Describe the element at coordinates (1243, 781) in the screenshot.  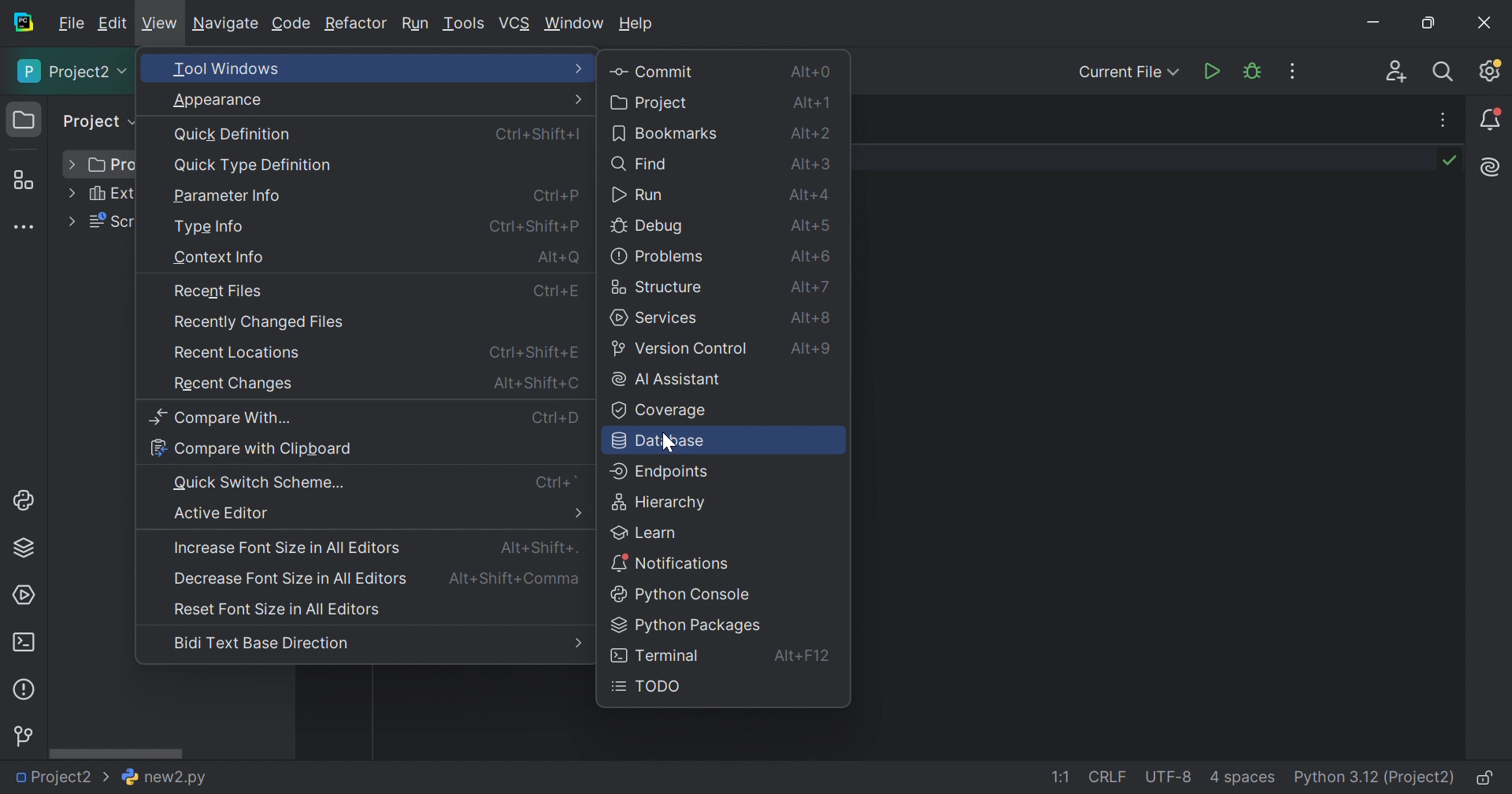
I see `4 spaces` at that location.